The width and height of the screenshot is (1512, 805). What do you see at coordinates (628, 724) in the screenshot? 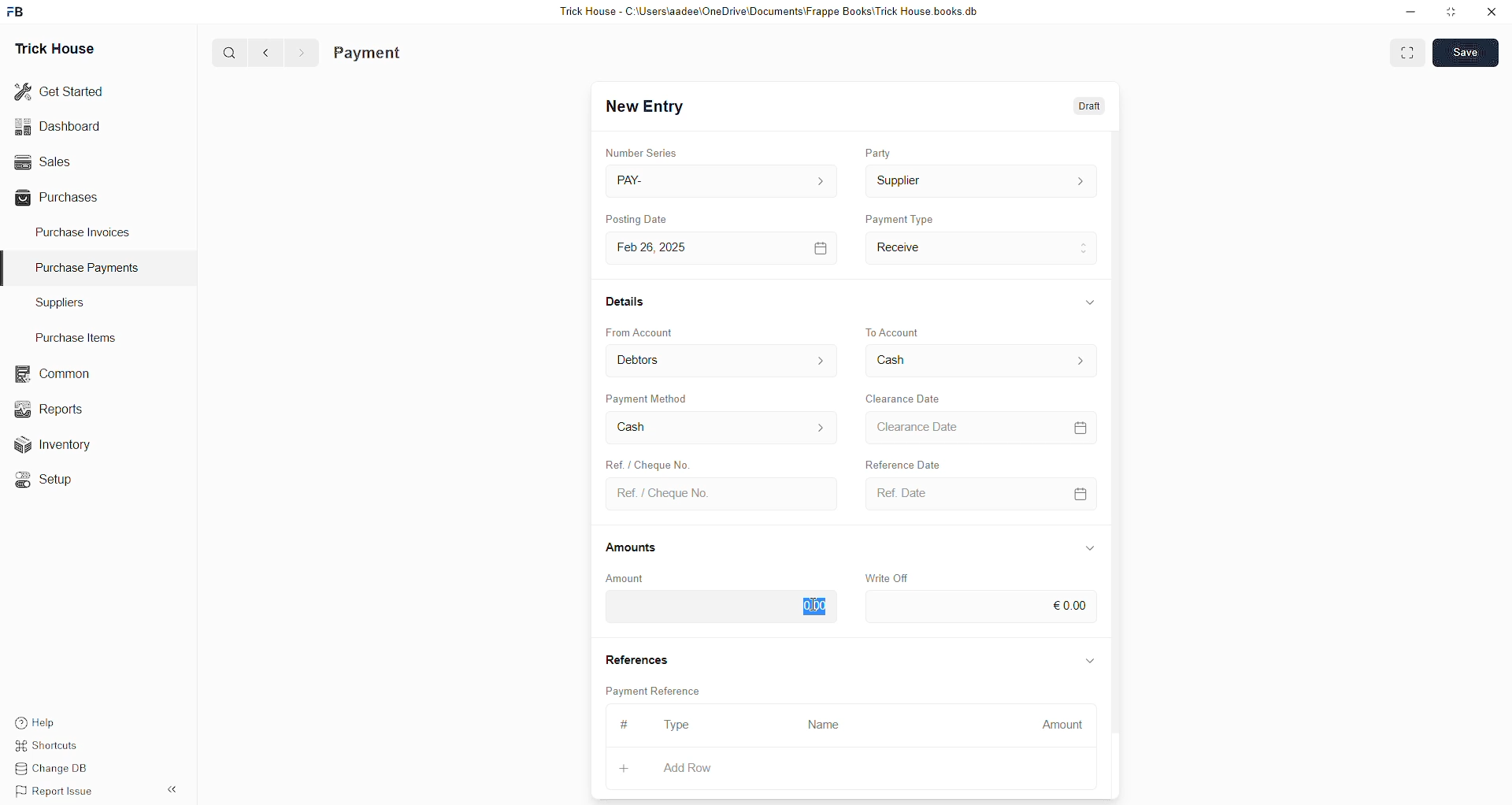
I see `#` at bounding box center [628, 724].